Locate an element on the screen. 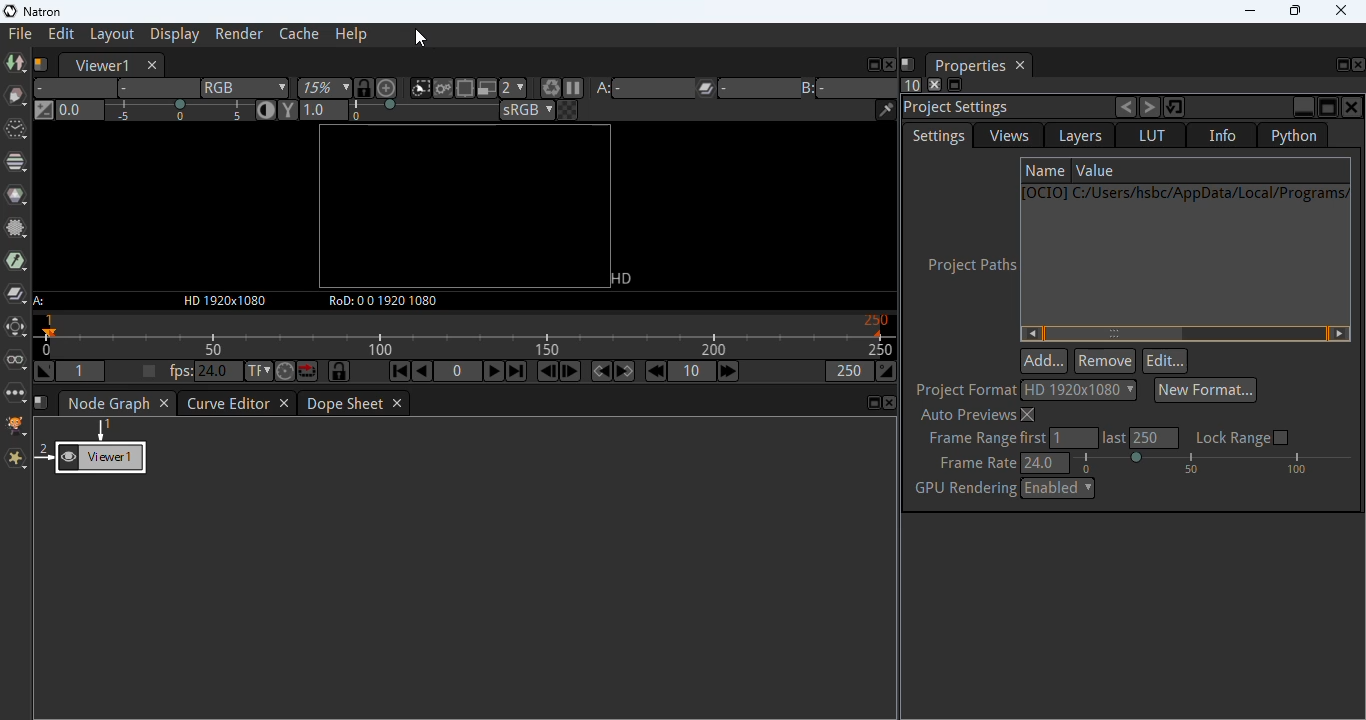 The image size is (1366, 720). alpha channel is located at coordinates (159, 88).